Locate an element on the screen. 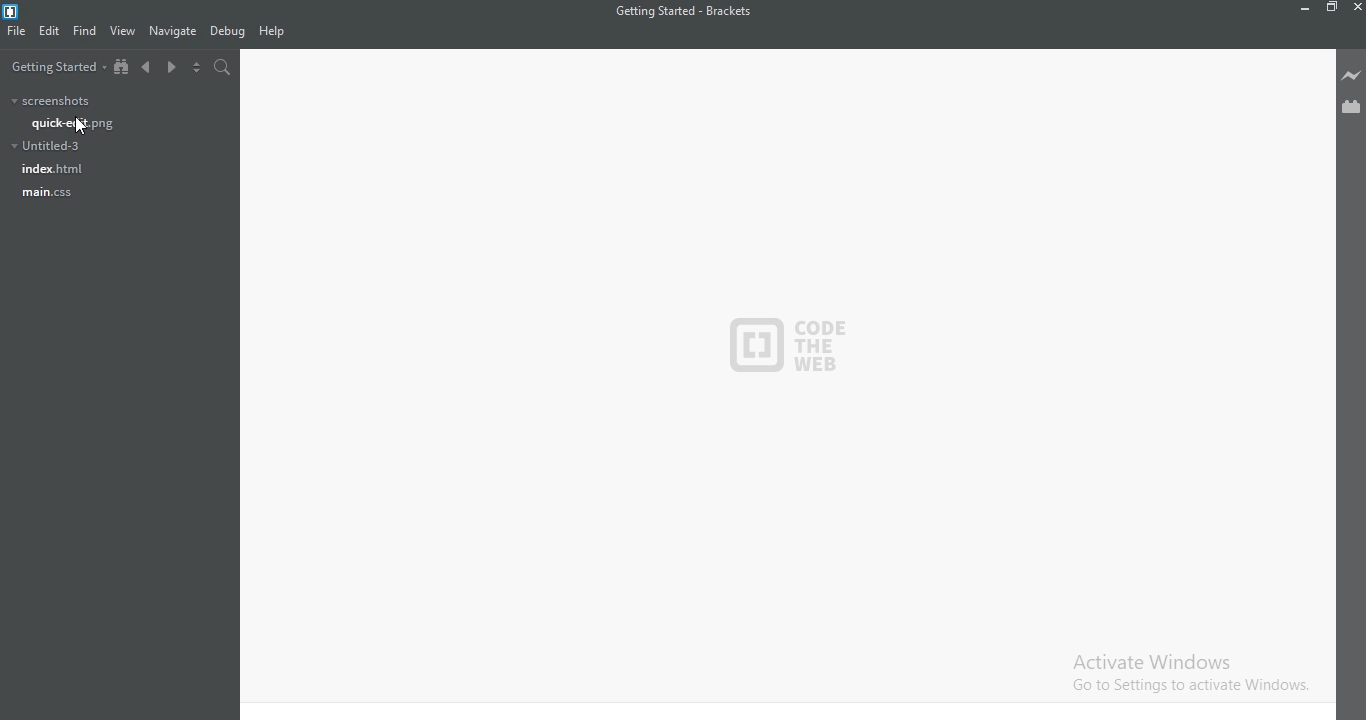 This screenshot has width=1366, height=720. getting started is located at coordinates (53, 66).